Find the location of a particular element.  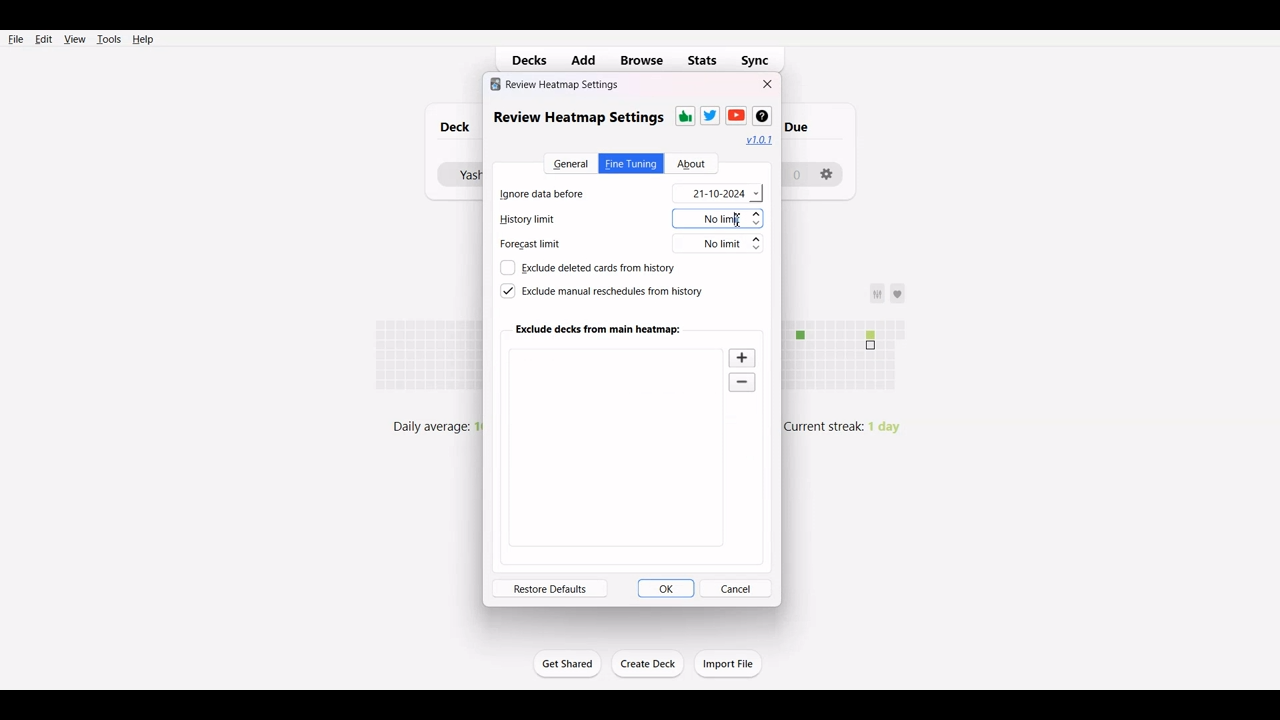

Fine Tuning is located at coordinates (631, 163).